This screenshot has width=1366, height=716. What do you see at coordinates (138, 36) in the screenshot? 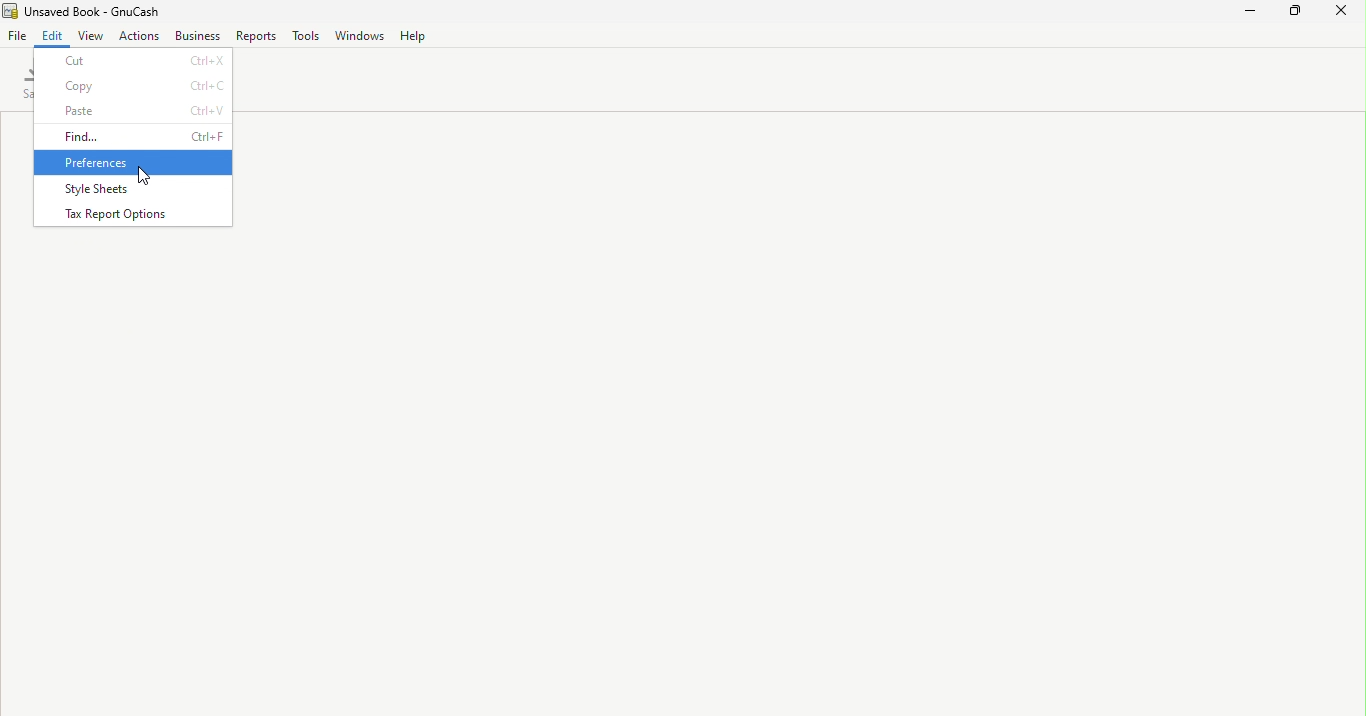
I see `Actions` at bounding box center [138, 36].